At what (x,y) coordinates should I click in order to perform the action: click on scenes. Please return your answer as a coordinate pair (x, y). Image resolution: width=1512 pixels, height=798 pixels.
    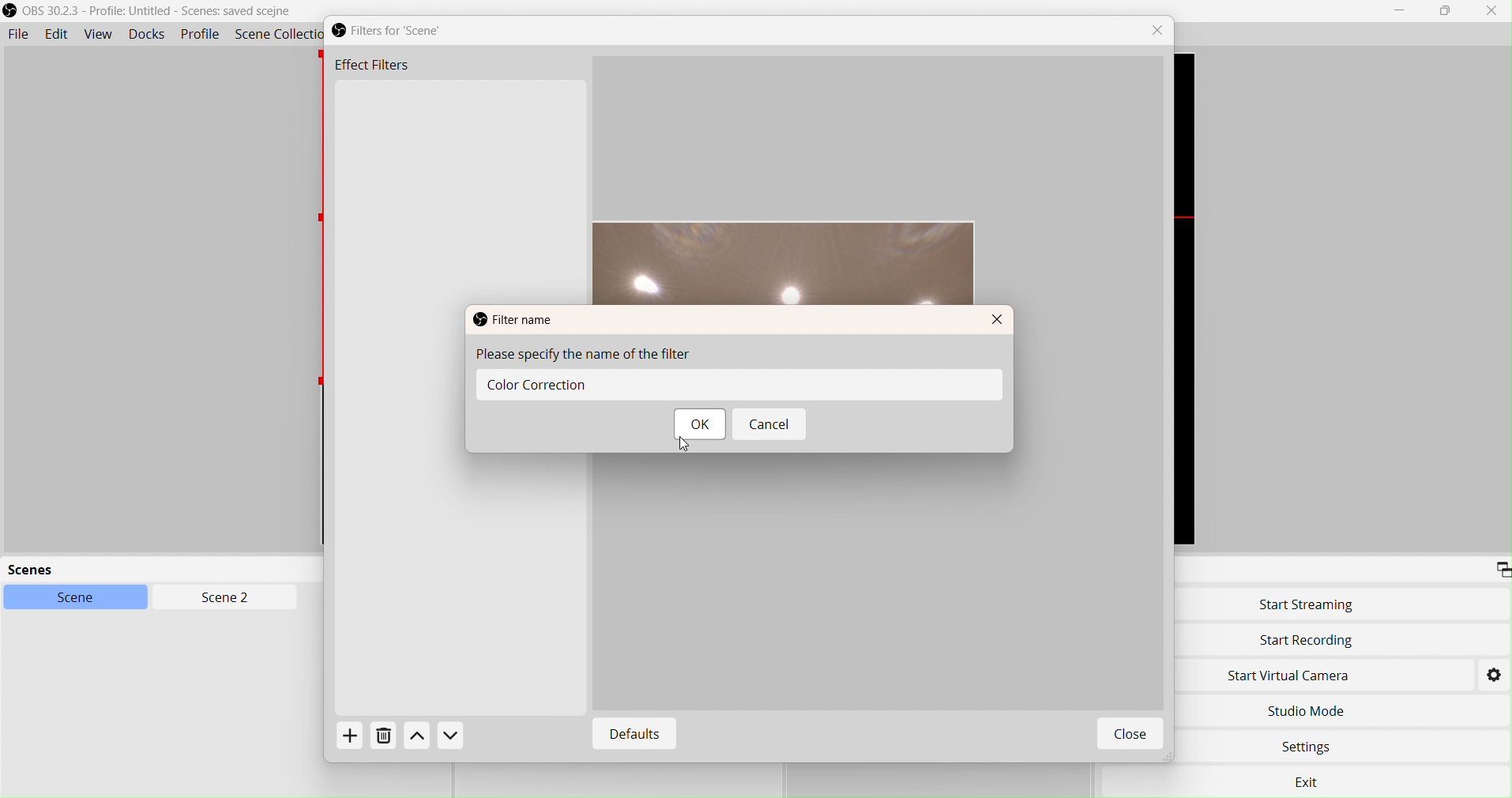
    Looking at the image, I should click on (126, 570).